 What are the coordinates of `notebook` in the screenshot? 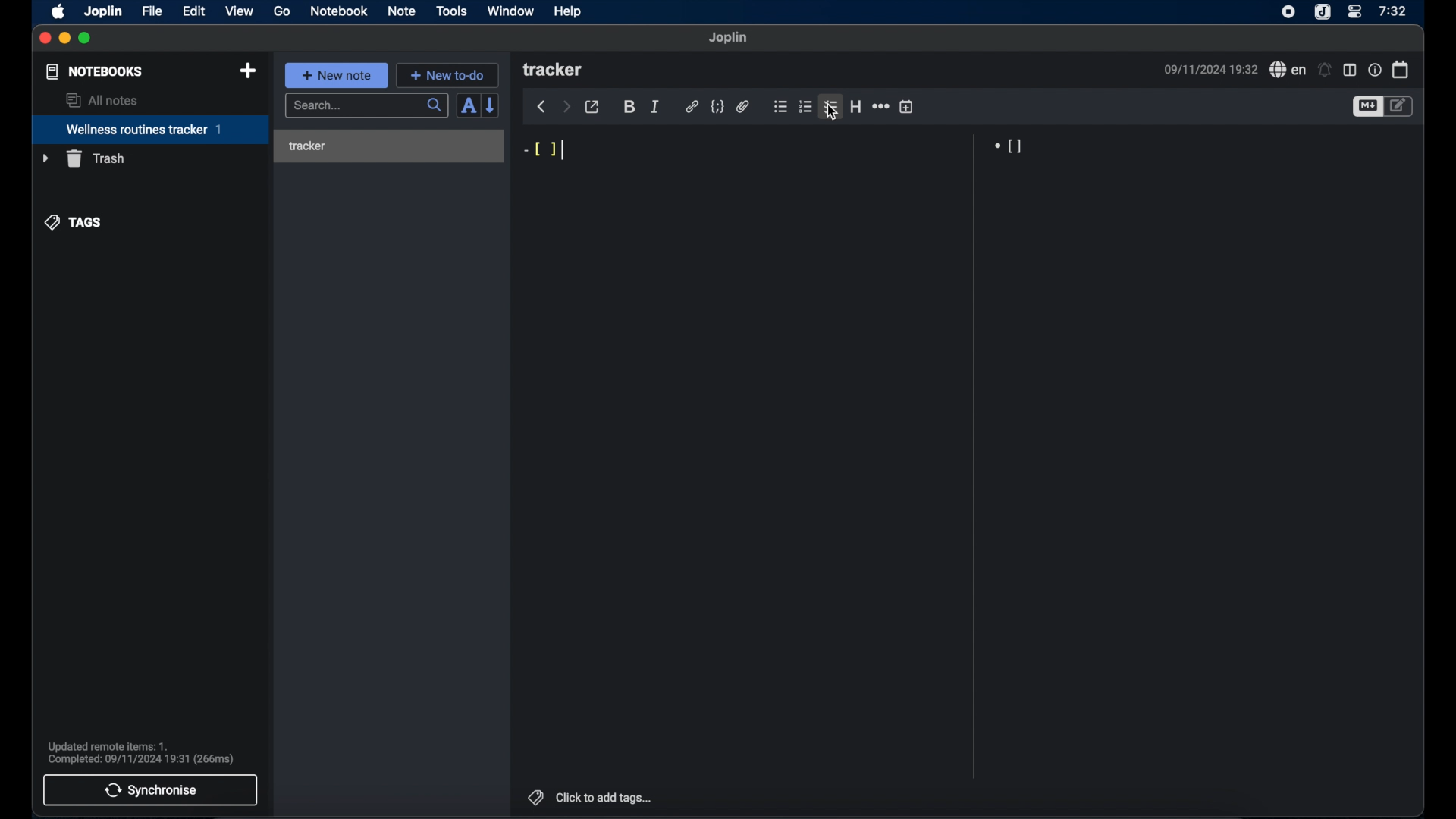 It's located at (339, 11).